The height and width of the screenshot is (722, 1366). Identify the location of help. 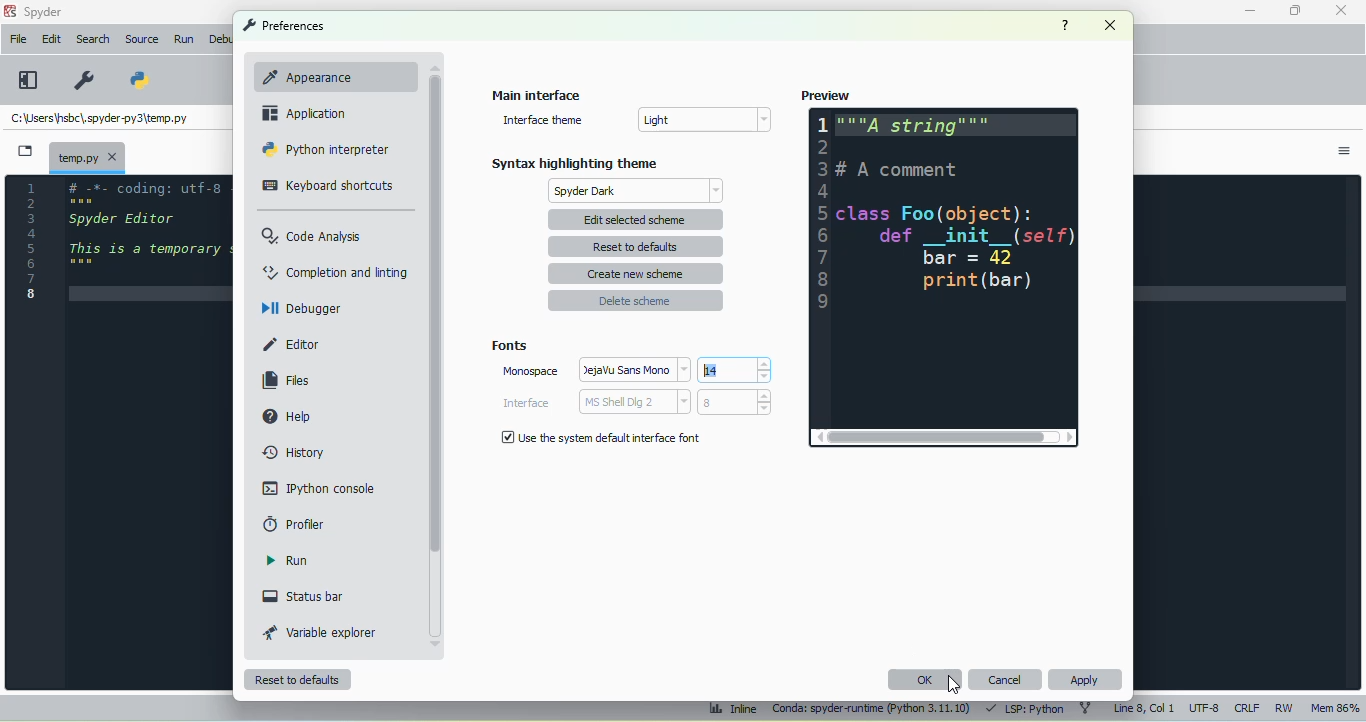
(1065, 25).